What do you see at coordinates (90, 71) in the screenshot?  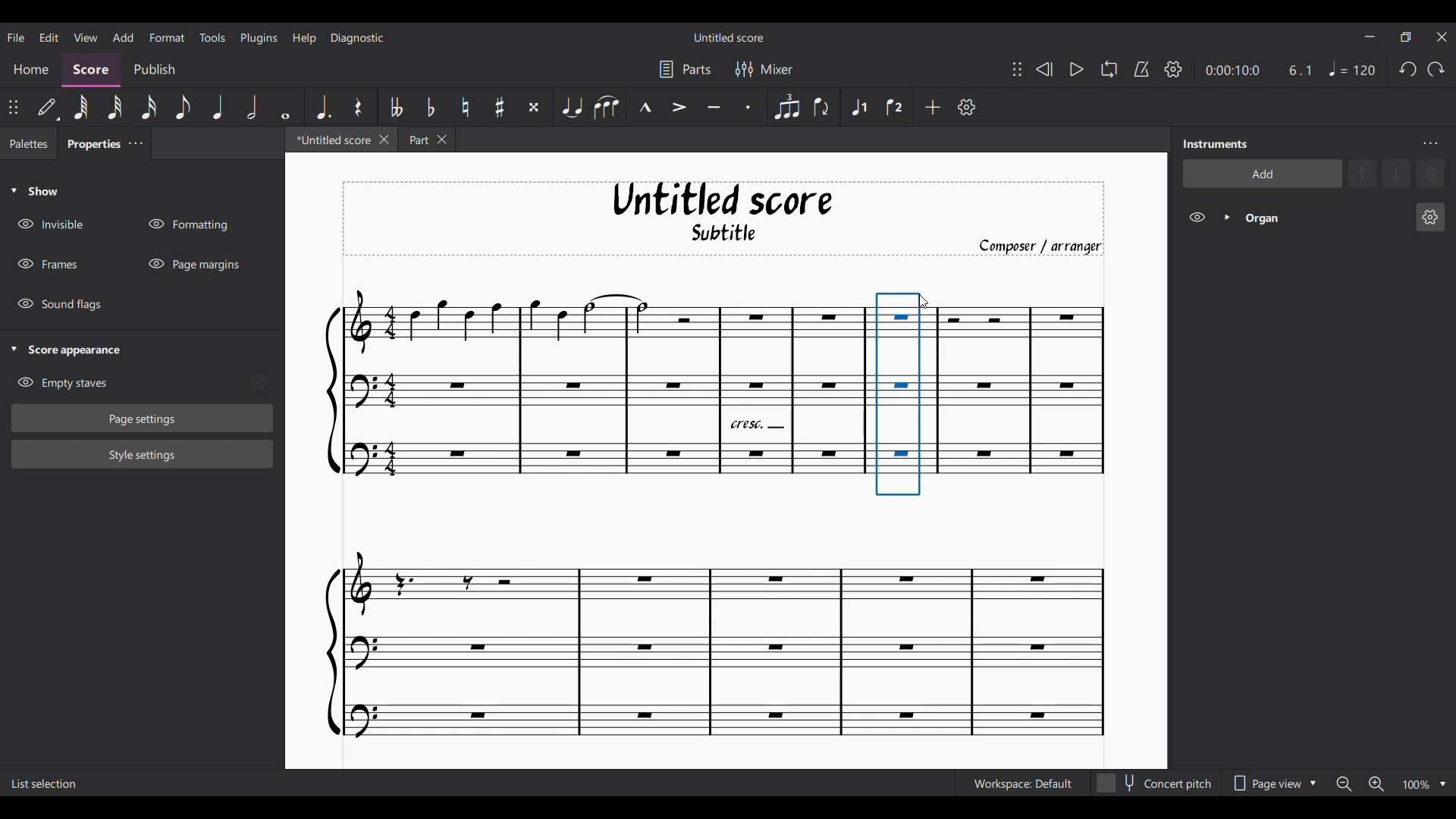 I see `Score section` at bounding box center [90, 71].